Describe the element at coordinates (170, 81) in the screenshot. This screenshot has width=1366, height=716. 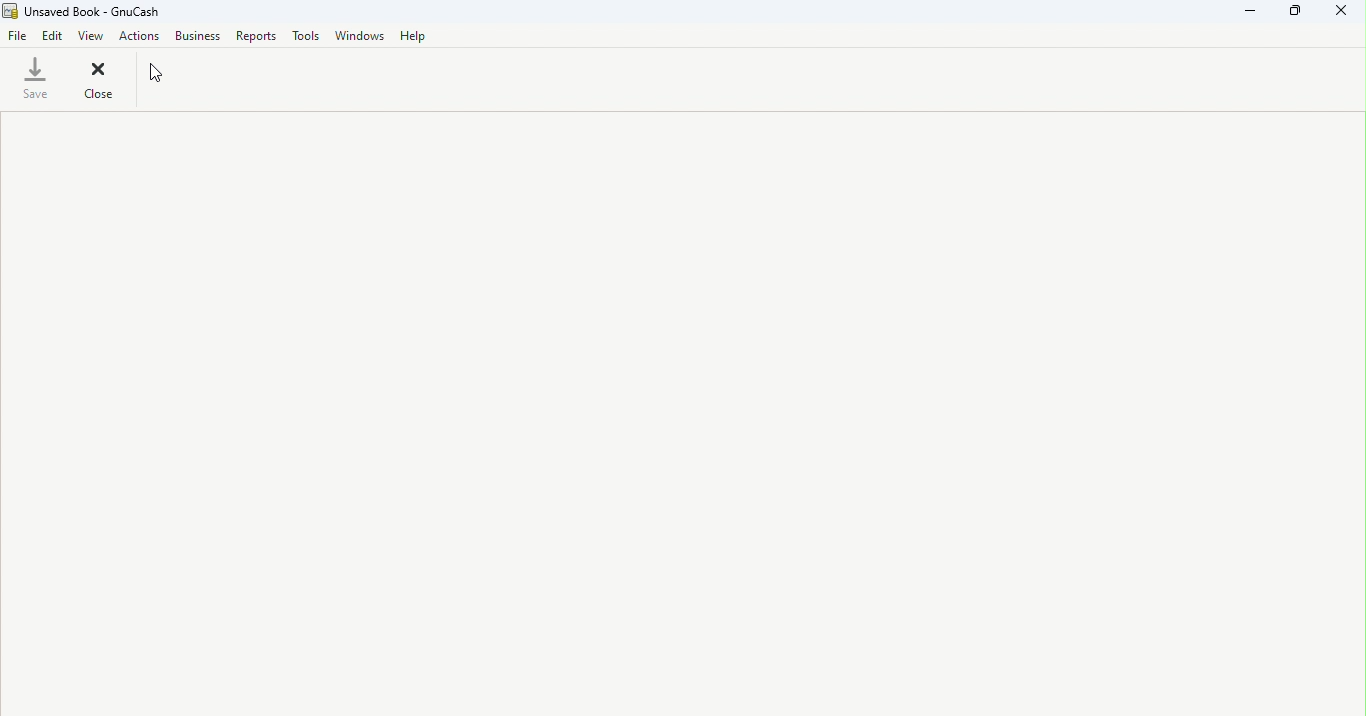
I see `Cursor` at that location.